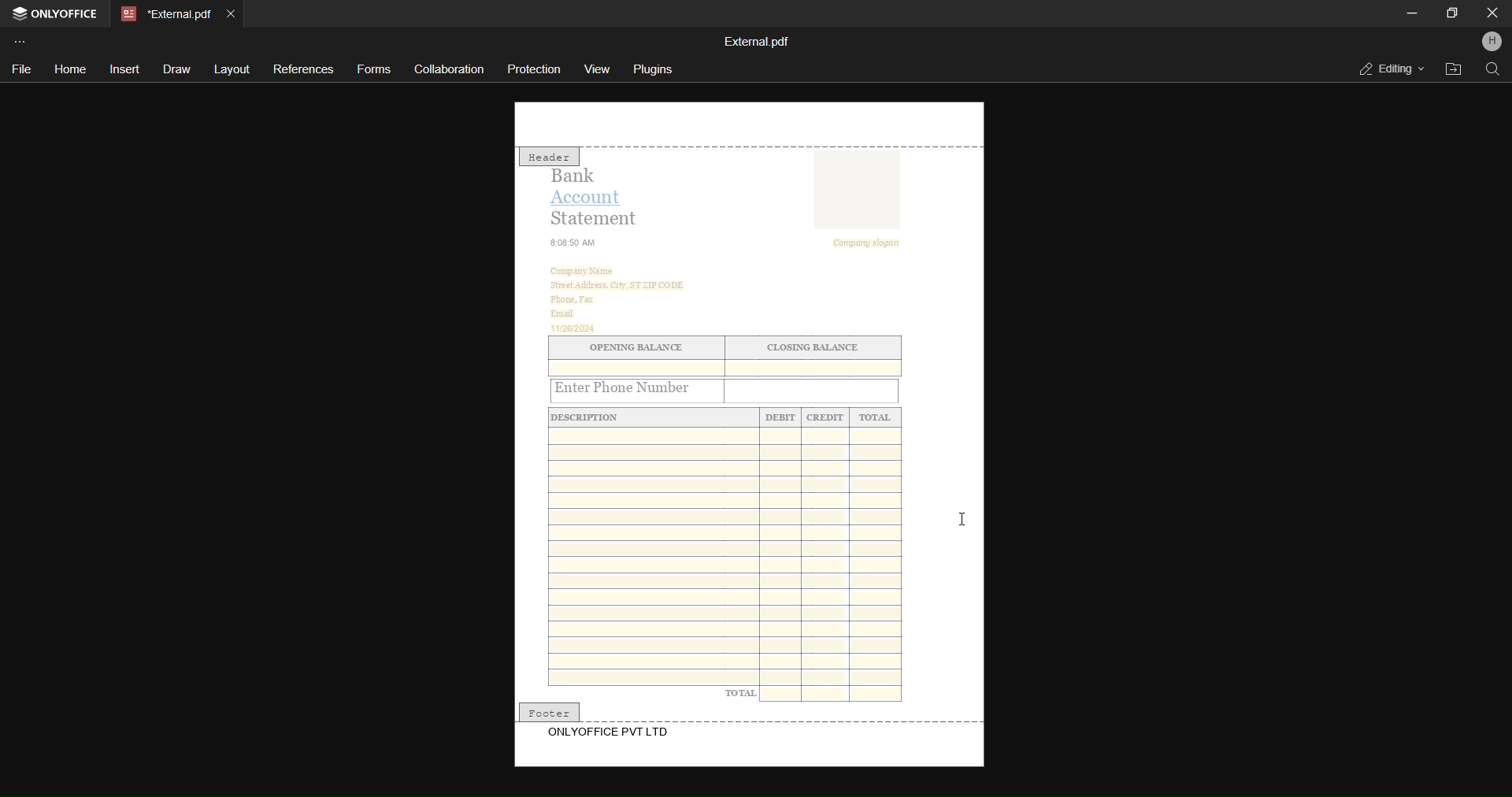 The width and height of the screenshot is (1512, 797). What do you see at coordinates (635, 348) in the screenshot?
I see `‘OPENING BALANCE` at bounding box center [635, 348].